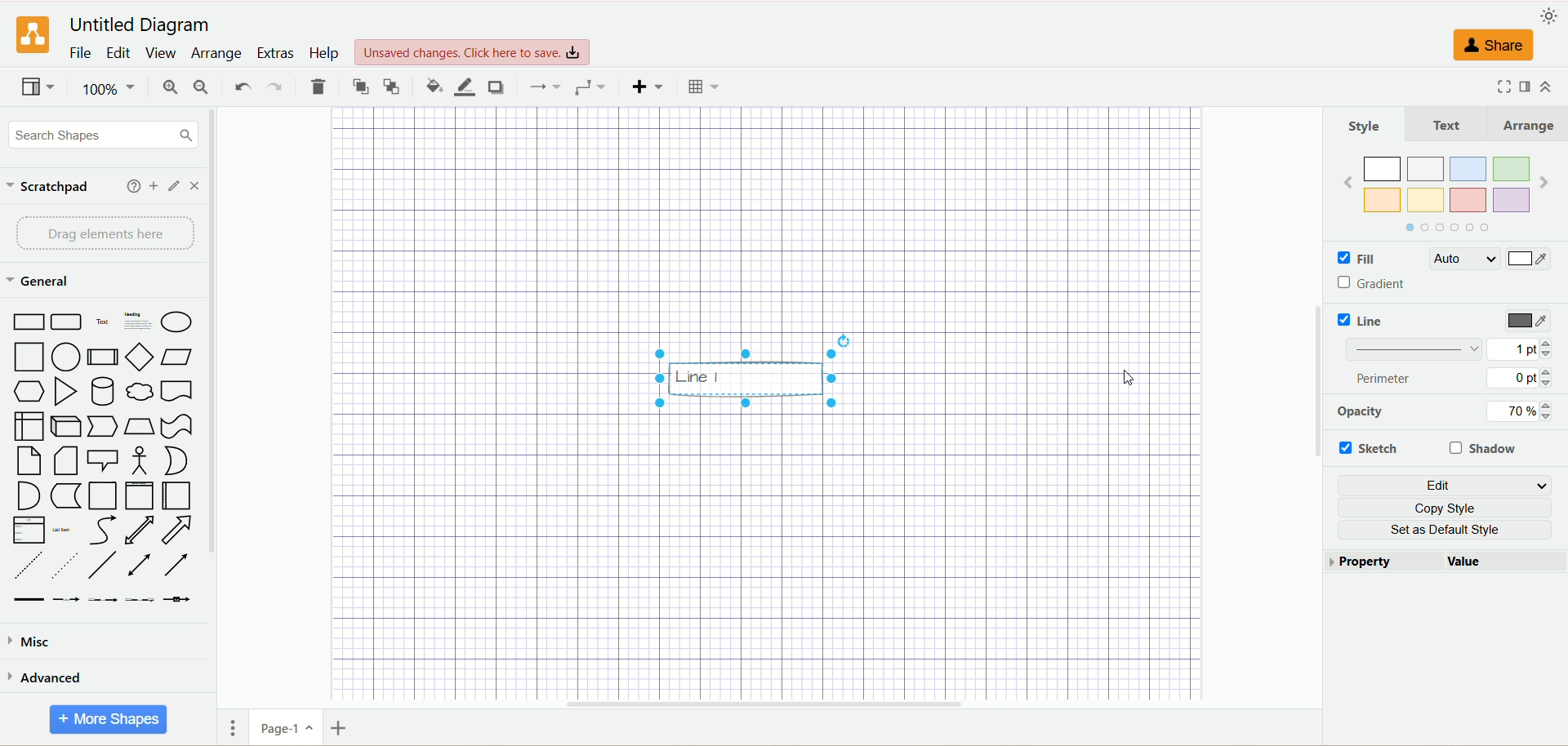  I want to click on Dotted line, so click(63, 566).